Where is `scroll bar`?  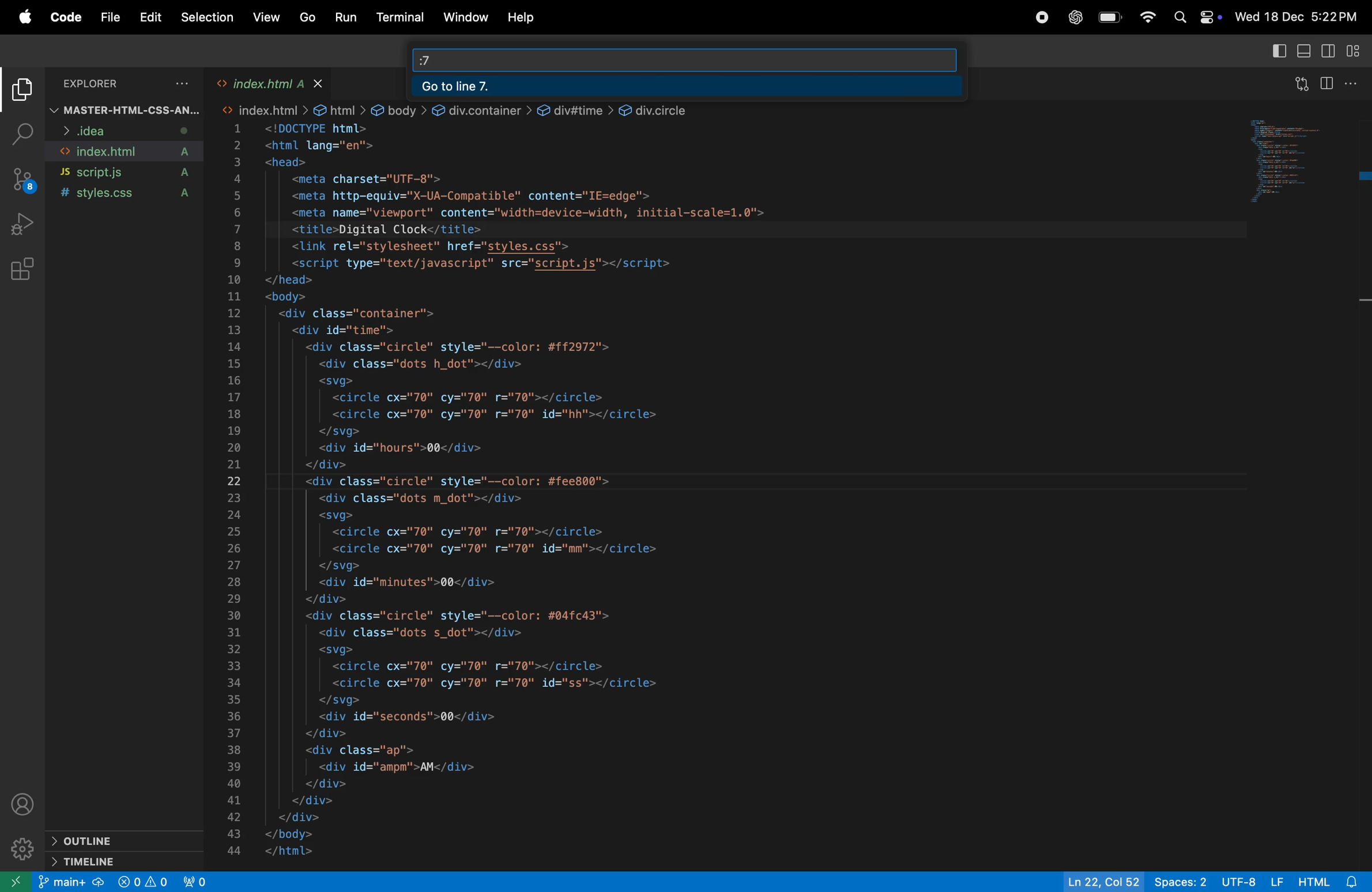 scroll bar is located at coordinates (1362, 259).